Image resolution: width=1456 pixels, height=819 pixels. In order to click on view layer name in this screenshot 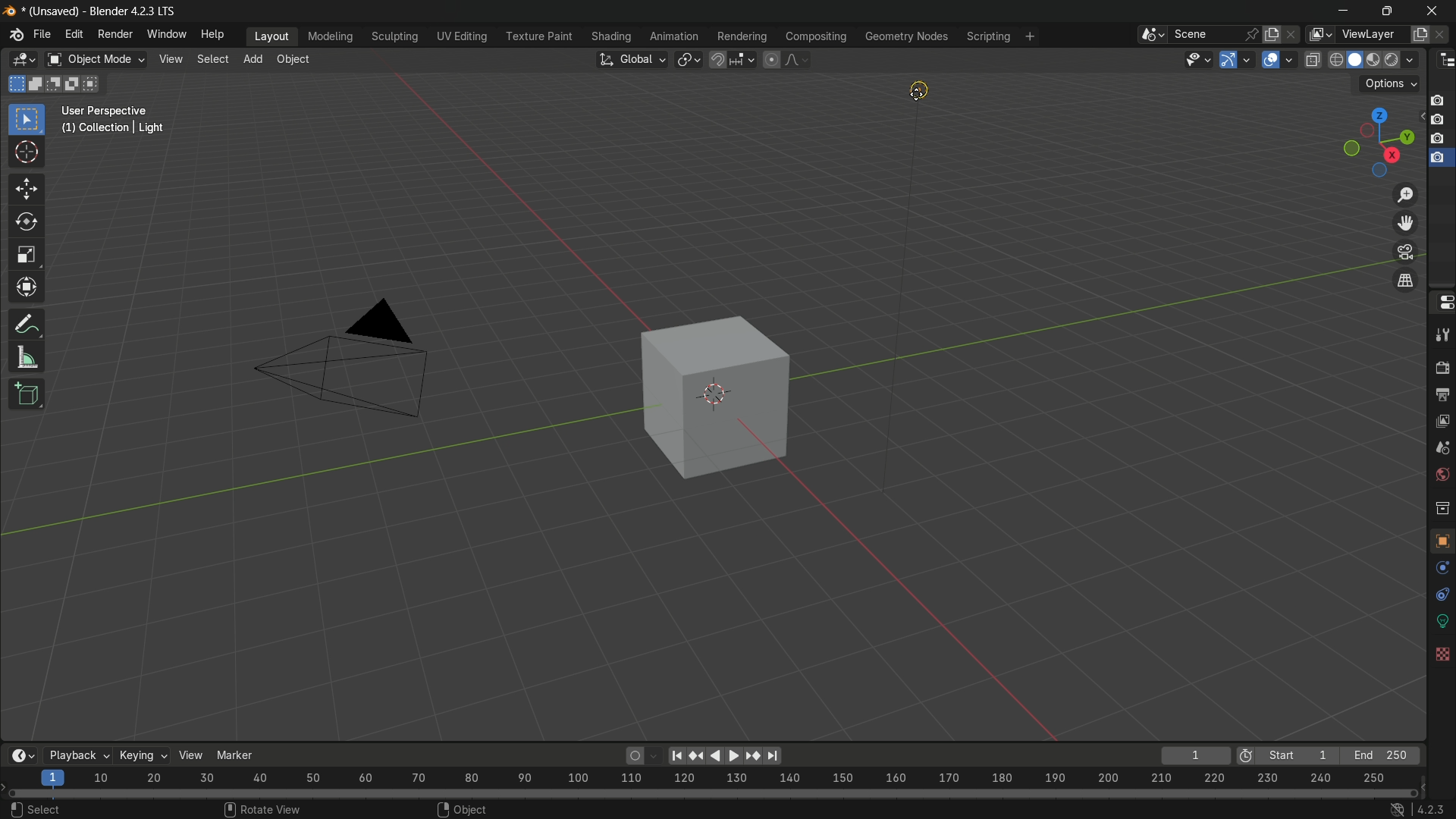, I will do `click(1370, 34)`.